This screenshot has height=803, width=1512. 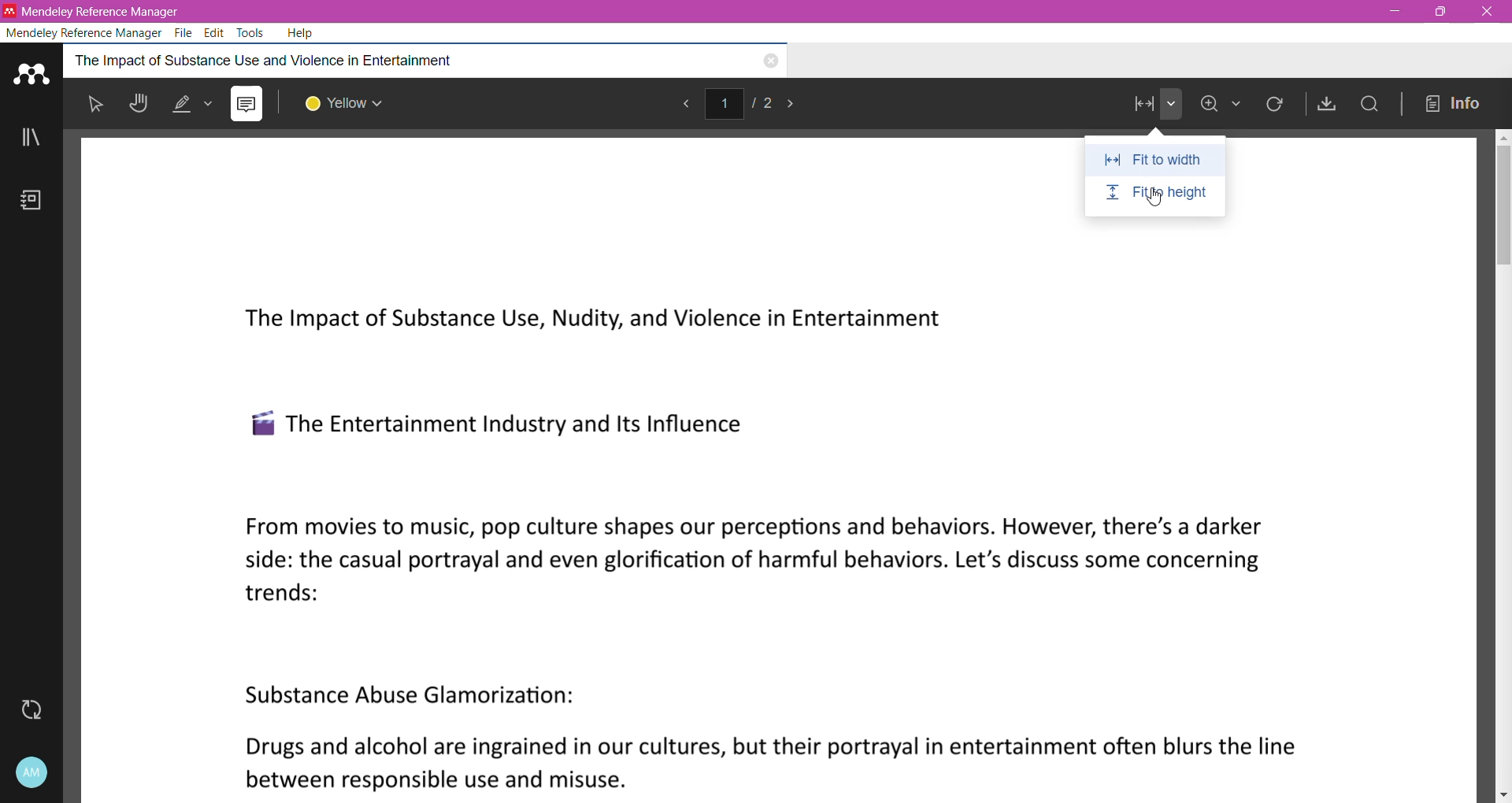 I want to click on Add Comment, so click(x=246, y=104).